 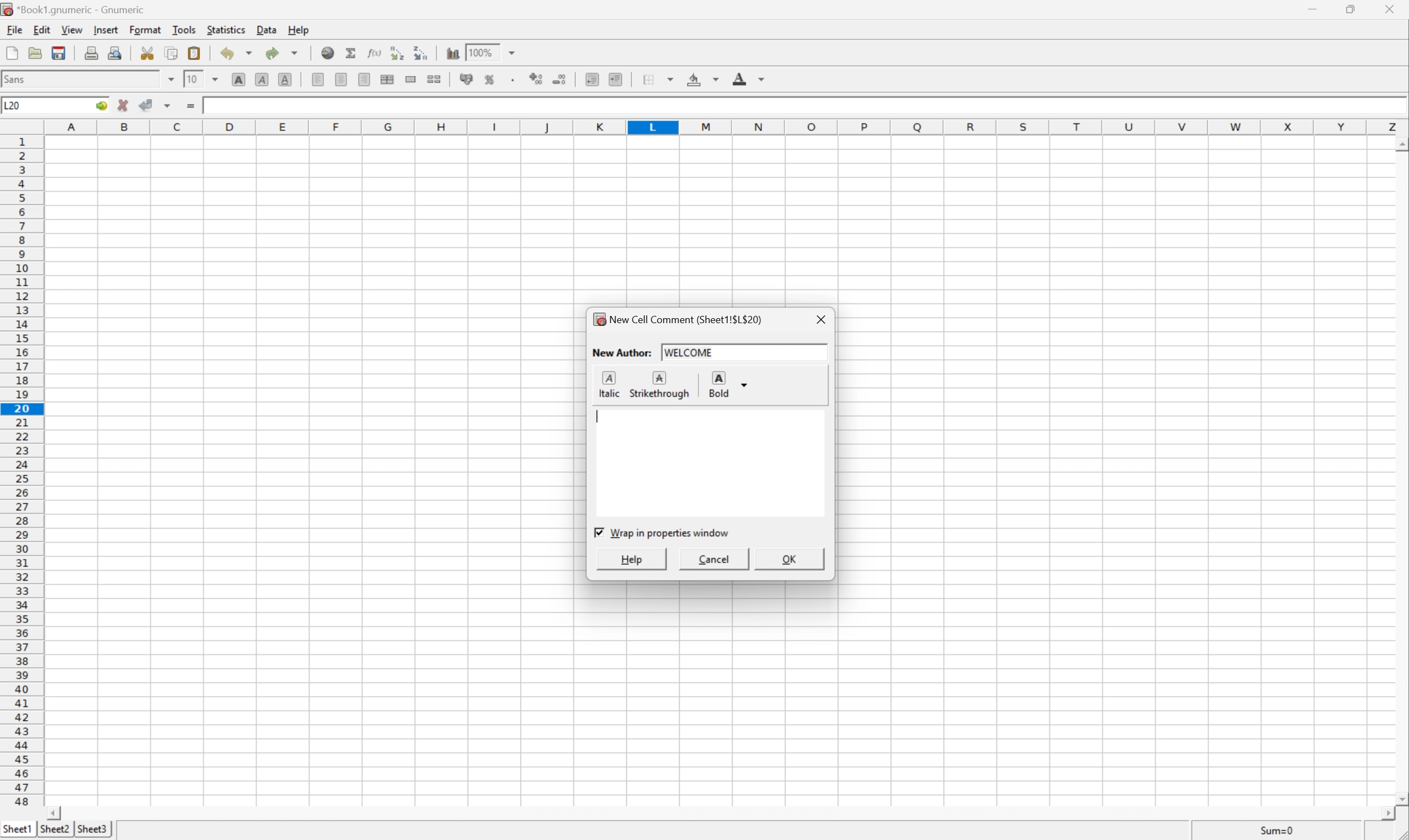 I want to click on Help, so click(x=629, y=559).